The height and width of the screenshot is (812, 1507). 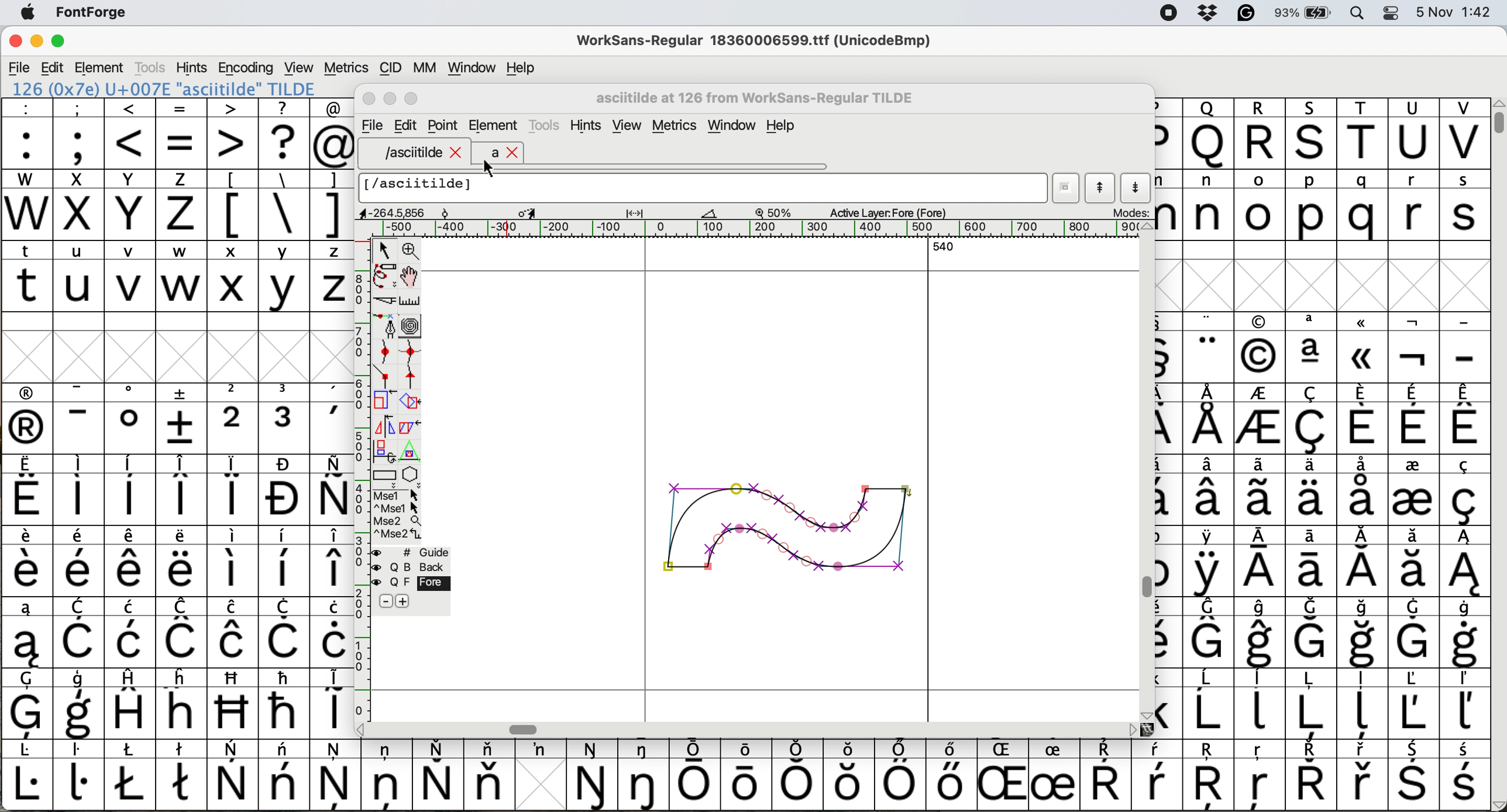 What do you see at coordinates (410, 452) in the screenshot?
I see `perform a perspective transformation on selection` at bounding box center [410, 452].